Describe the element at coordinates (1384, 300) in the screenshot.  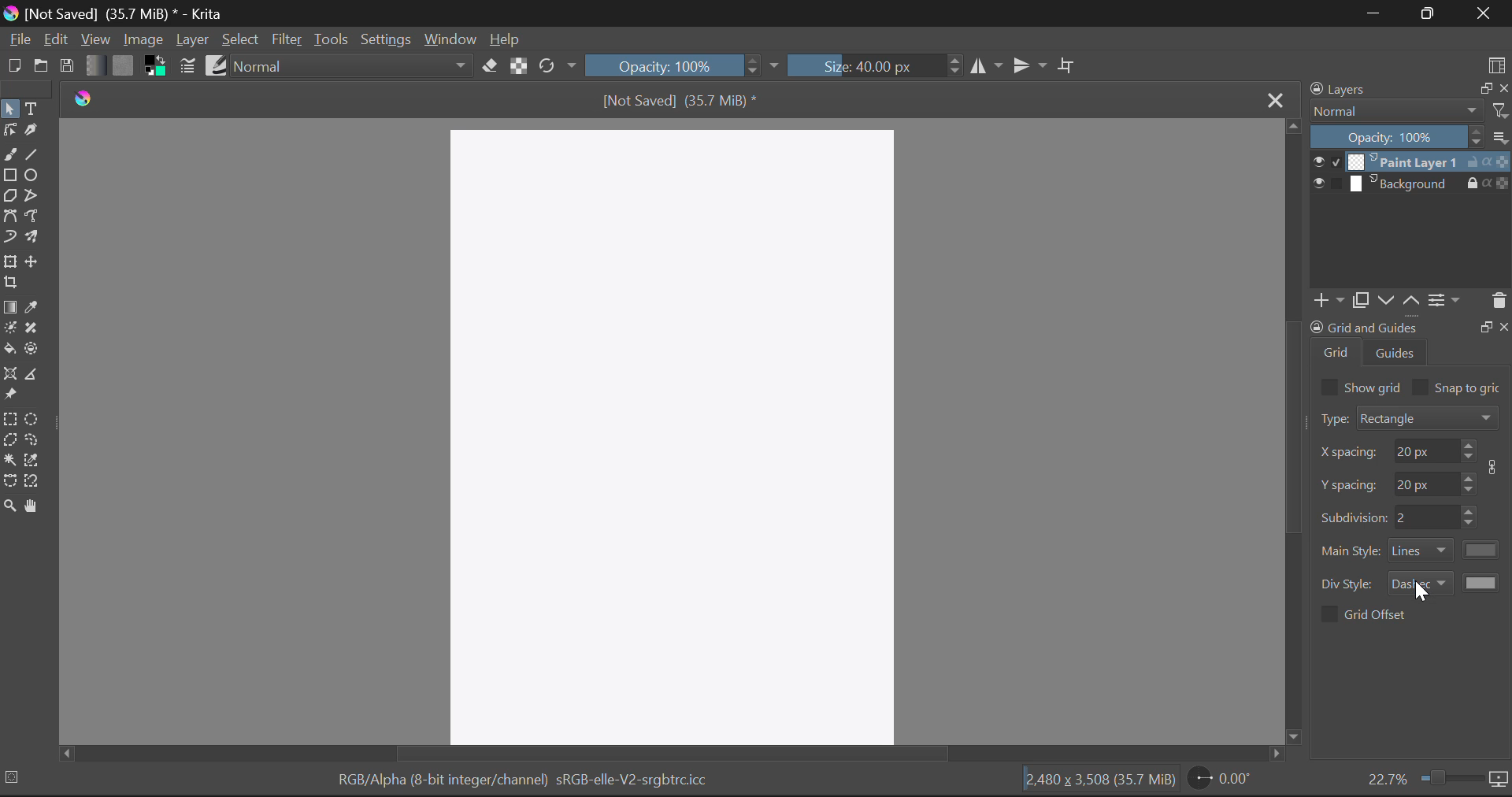
I see `down` at that location.